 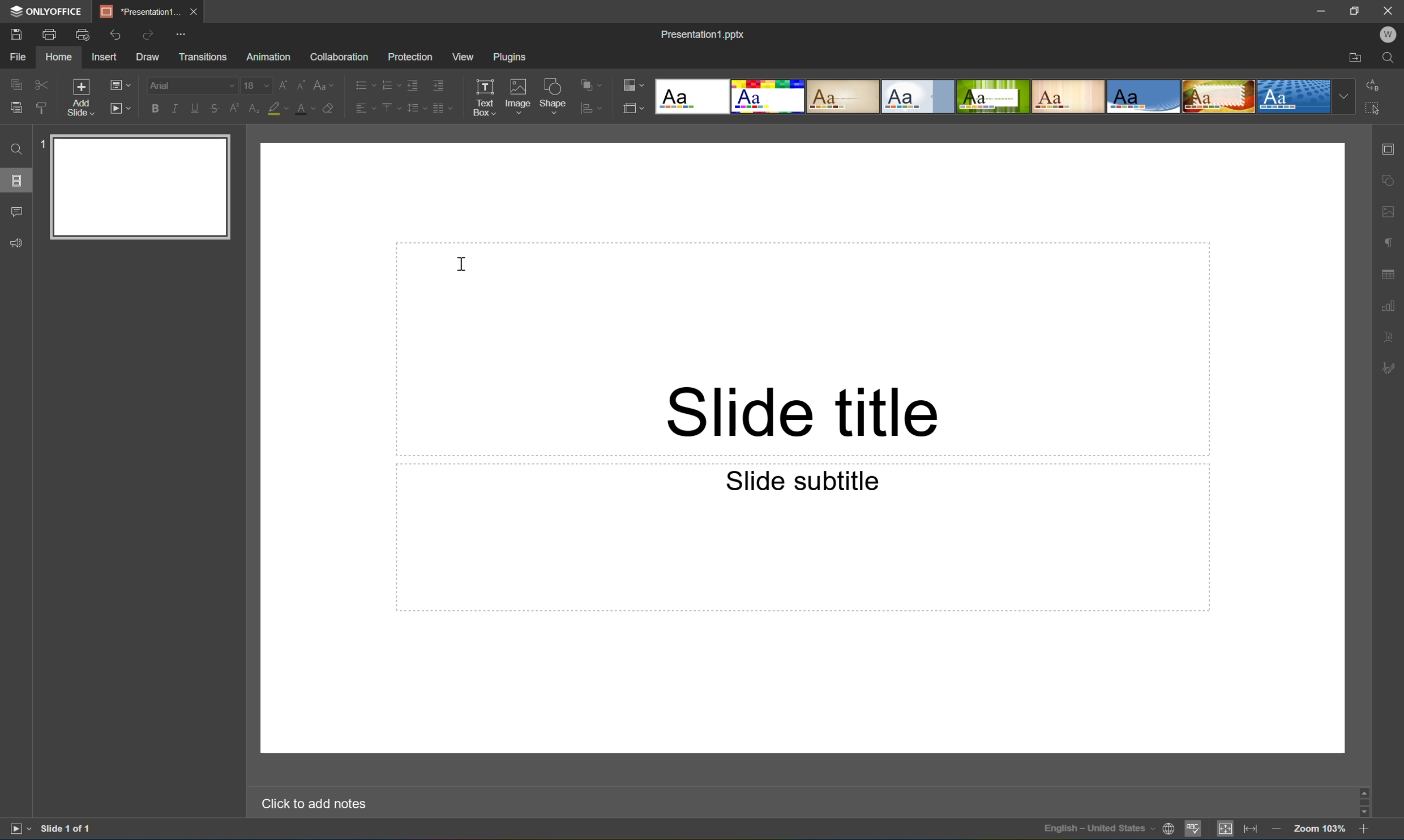 What do you see at coordinates (483, 97) in the screenshot?
I see `Text box` at bounding box center [483, 97].